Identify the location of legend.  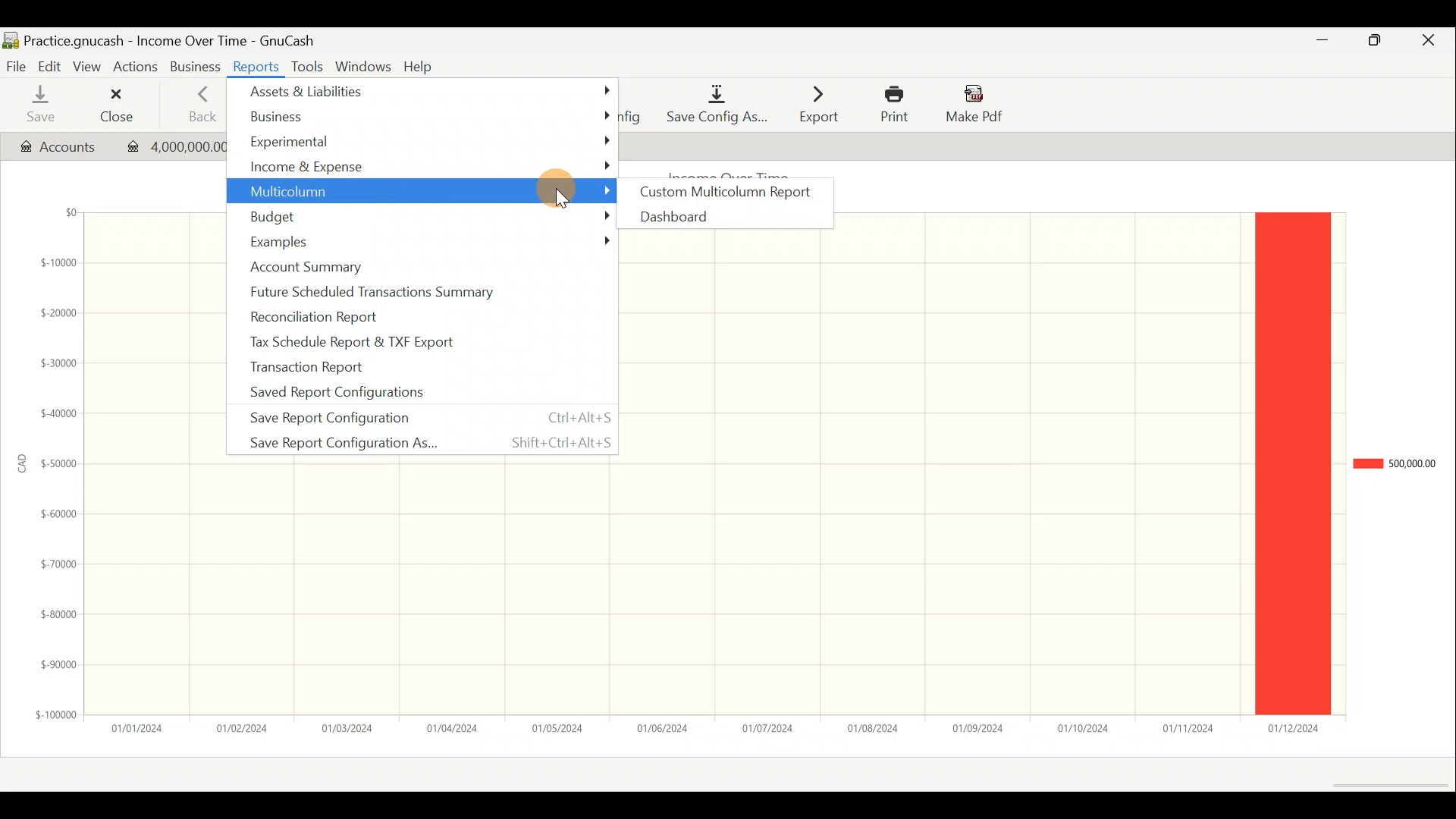
(1293, 464).